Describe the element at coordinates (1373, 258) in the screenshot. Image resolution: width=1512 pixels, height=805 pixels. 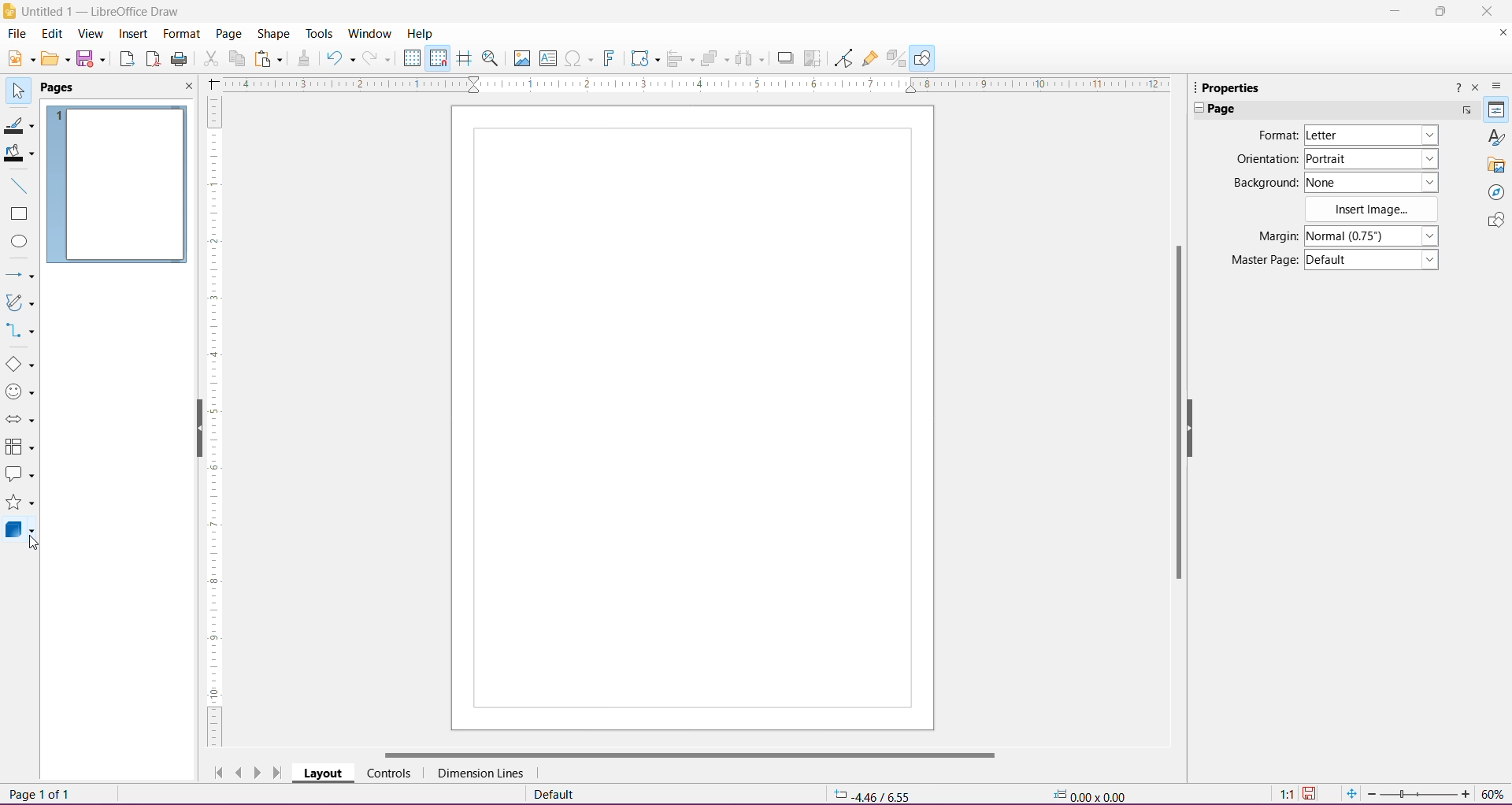
I see `Set master page` at that location.